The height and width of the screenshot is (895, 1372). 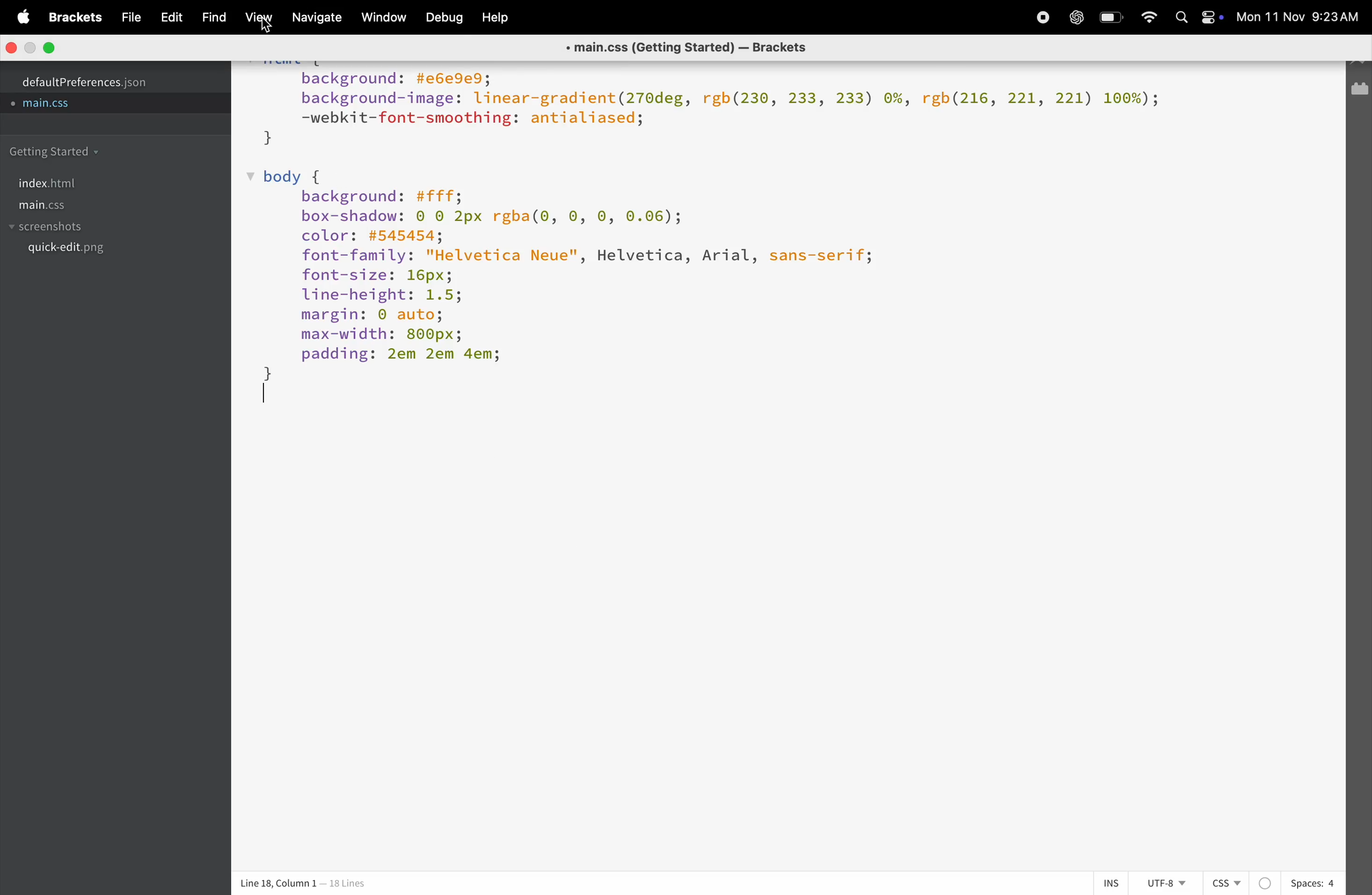 I want to click on navigate, so click(x=314, y=18).